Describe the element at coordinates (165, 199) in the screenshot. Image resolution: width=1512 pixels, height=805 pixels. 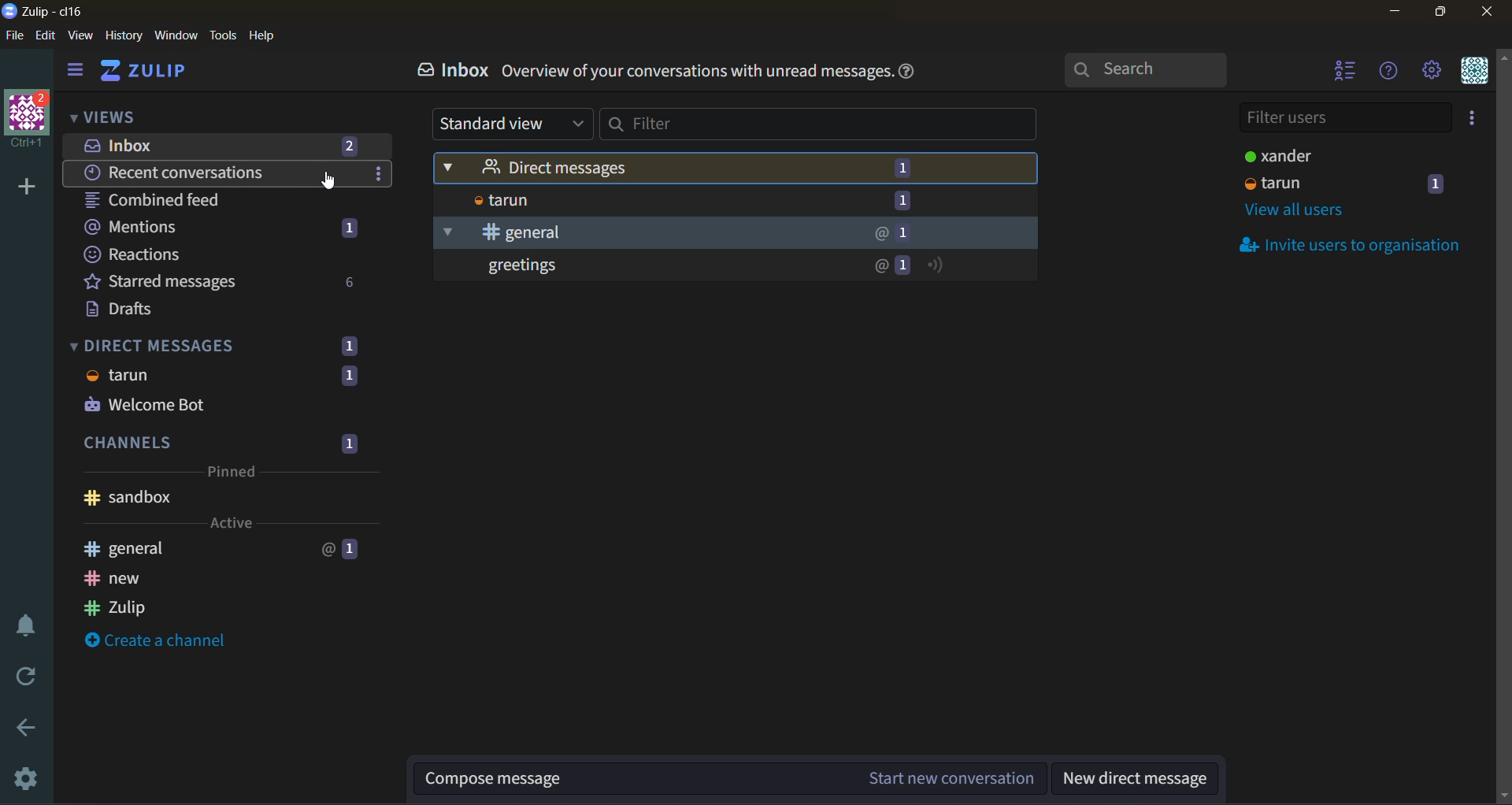
I see `combined feed` at that location.